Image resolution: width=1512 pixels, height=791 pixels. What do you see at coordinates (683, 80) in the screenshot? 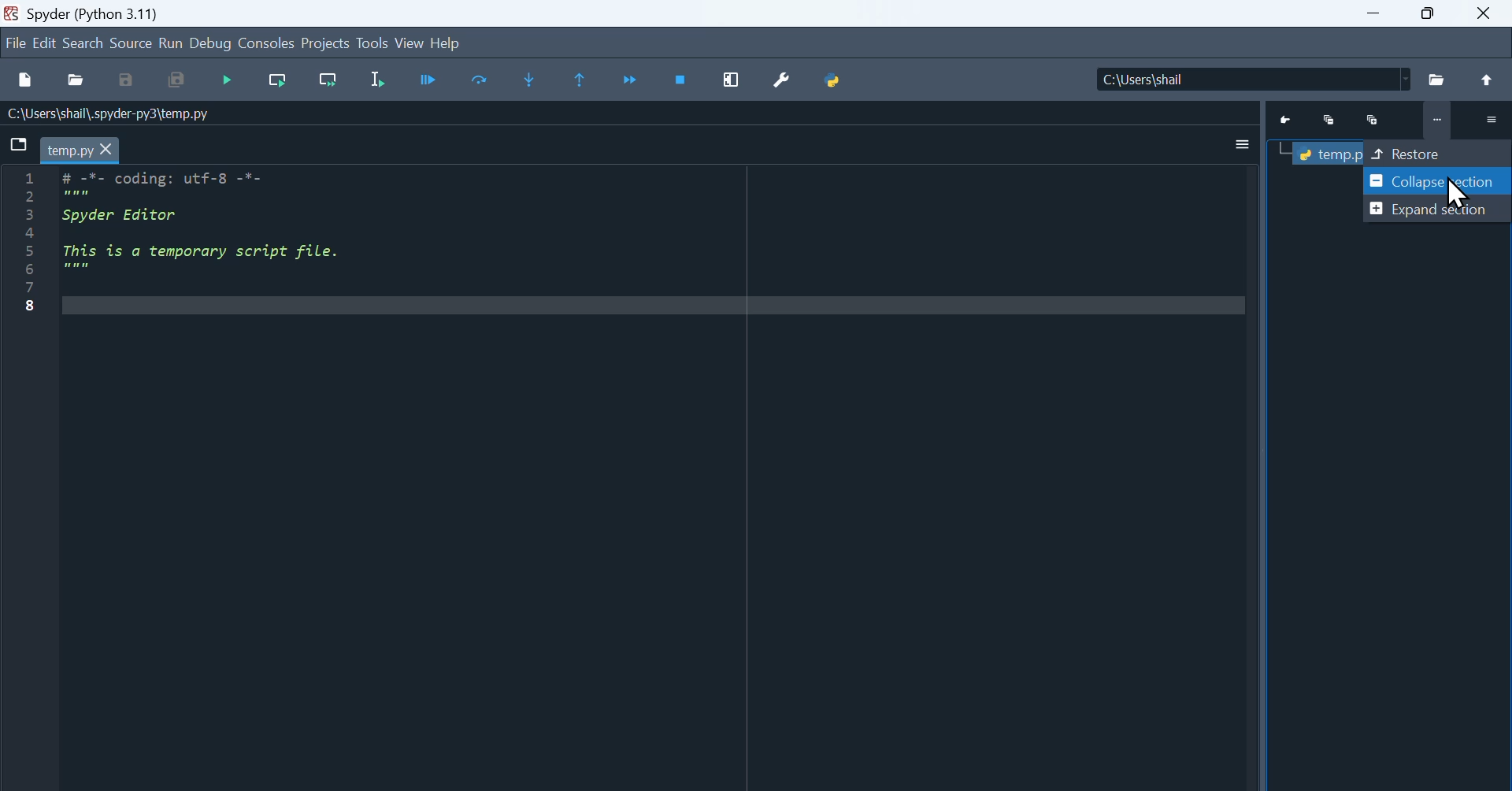
I see `Stop debugging` at bounding box center [683, 80].